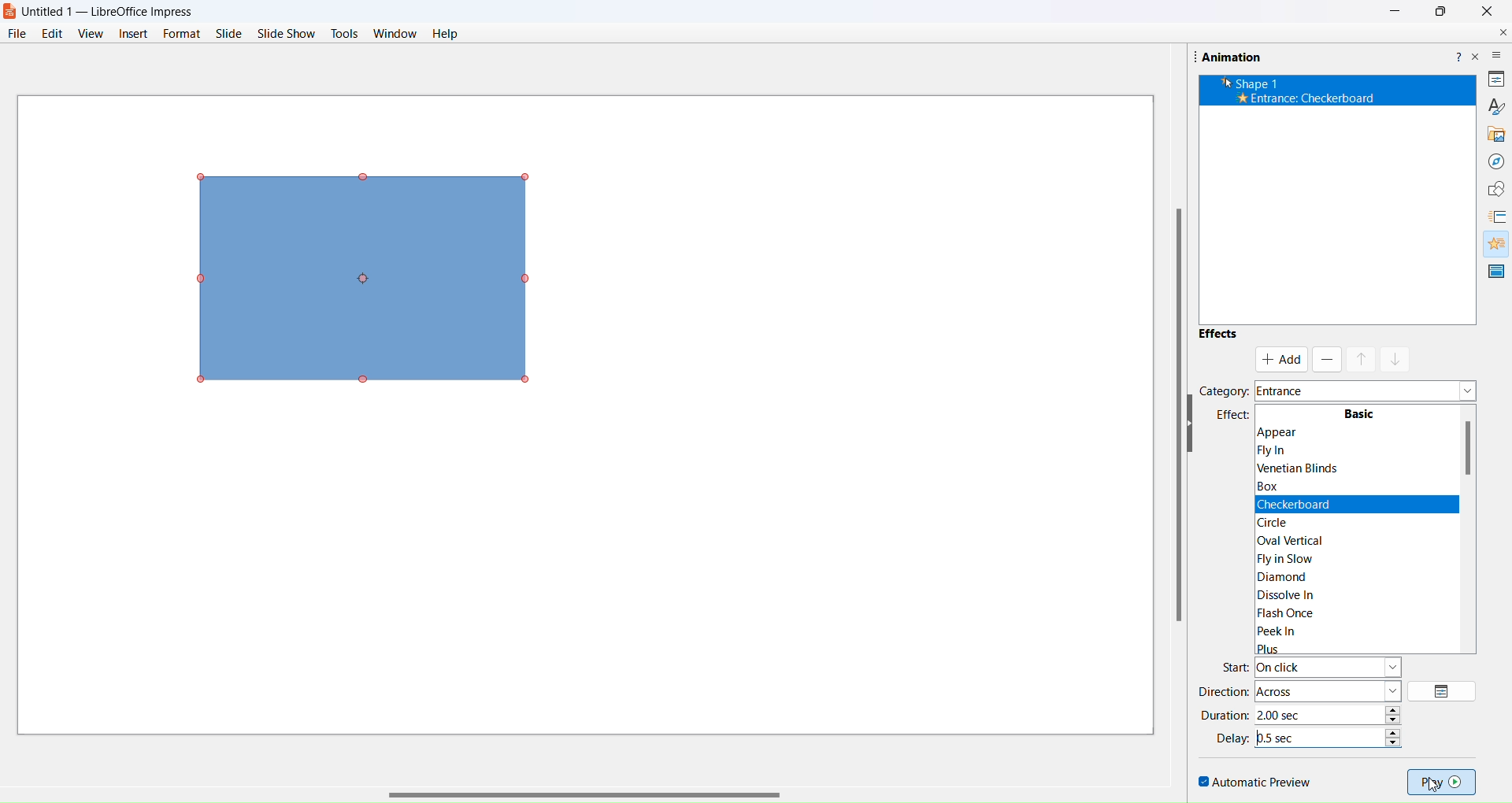  What do you see at coordinates (1298, 91) in the screenshot?
I see `’k Shape 1
* Entrance: Appear` at bounding box center [1298, 91].